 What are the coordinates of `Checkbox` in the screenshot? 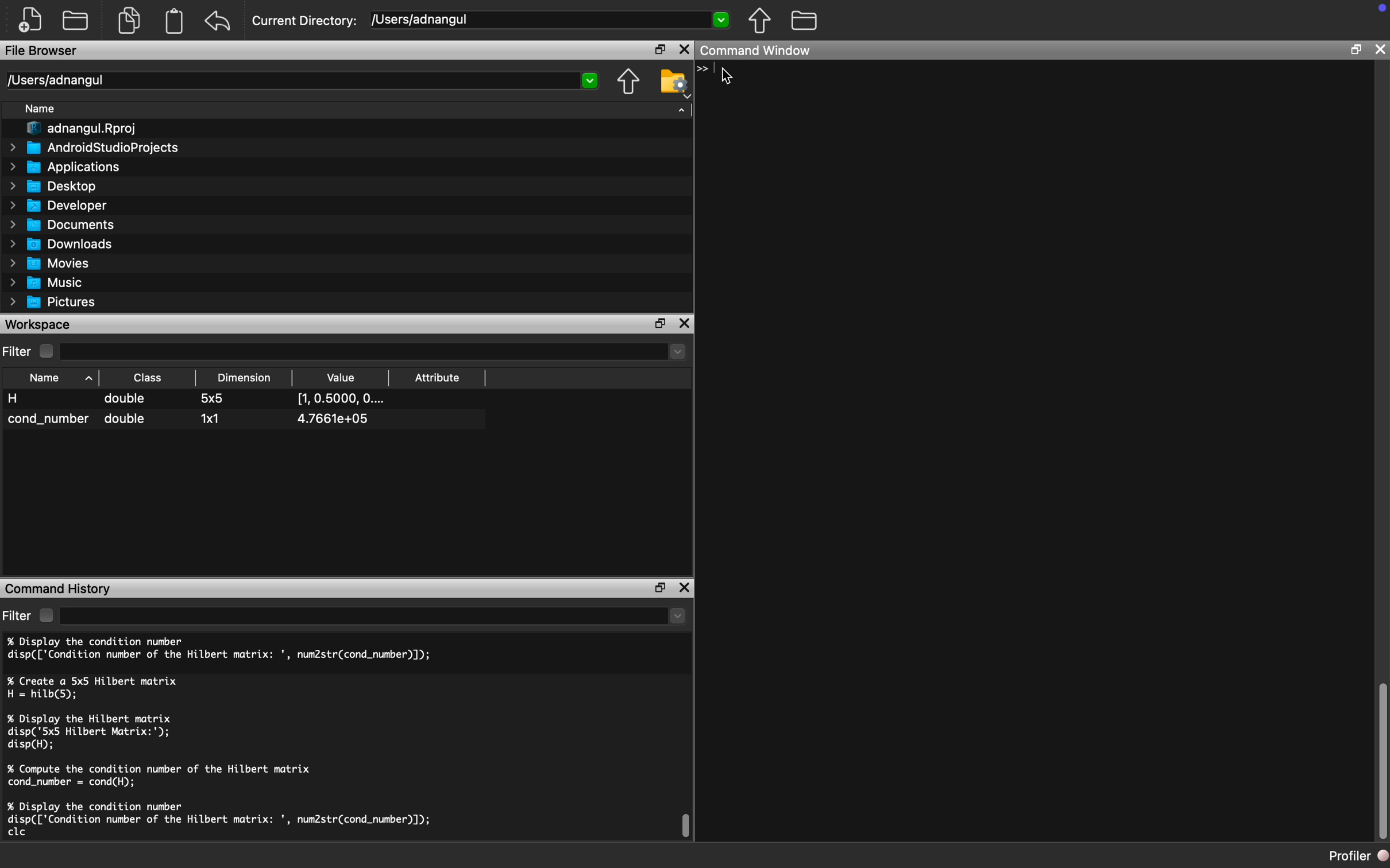 It's located at (46, 615).